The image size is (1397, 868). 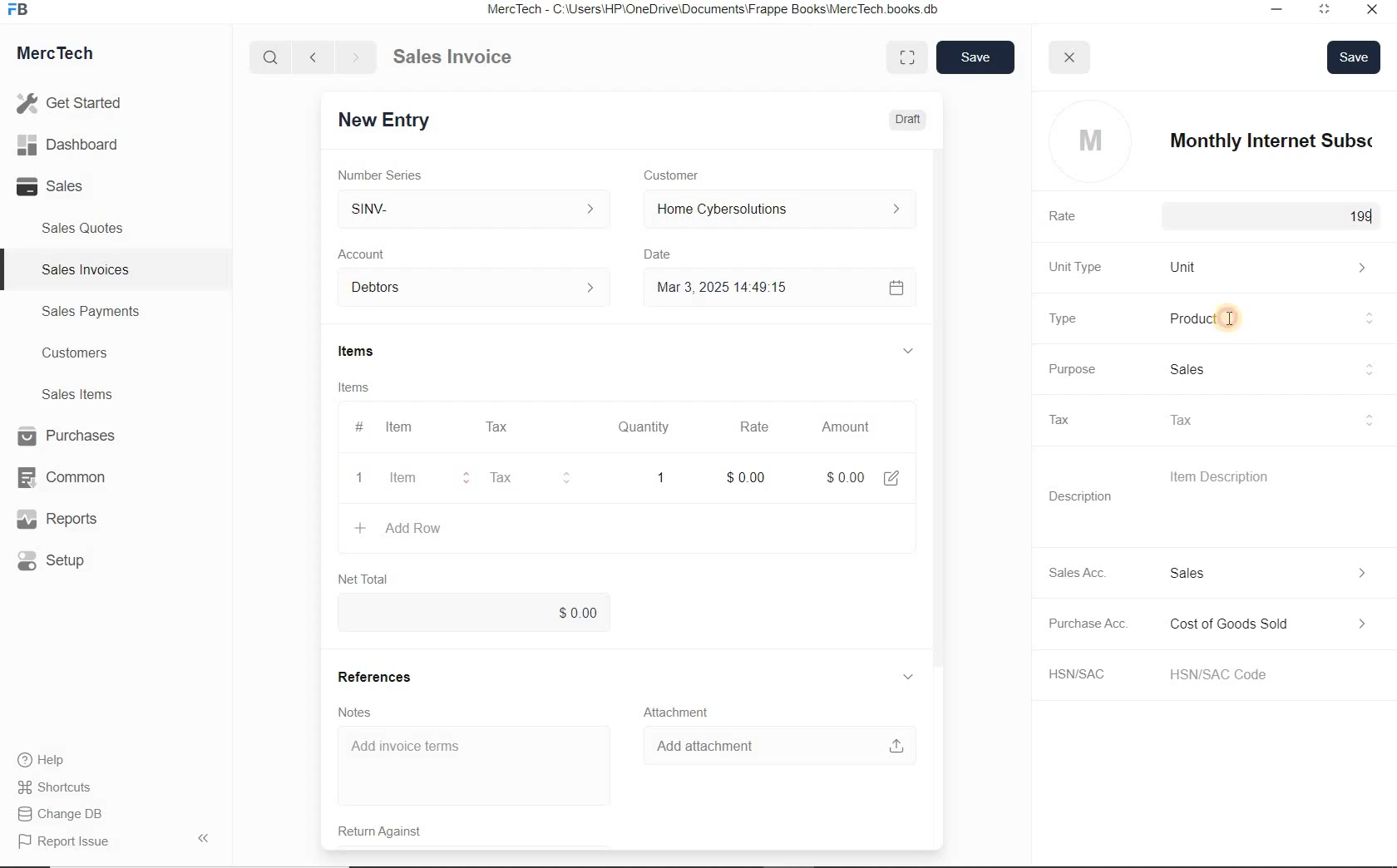 What do you see at coordinates (1061, 318) in the screenshot?
I see `Type` at bounding box center [1061, 318].